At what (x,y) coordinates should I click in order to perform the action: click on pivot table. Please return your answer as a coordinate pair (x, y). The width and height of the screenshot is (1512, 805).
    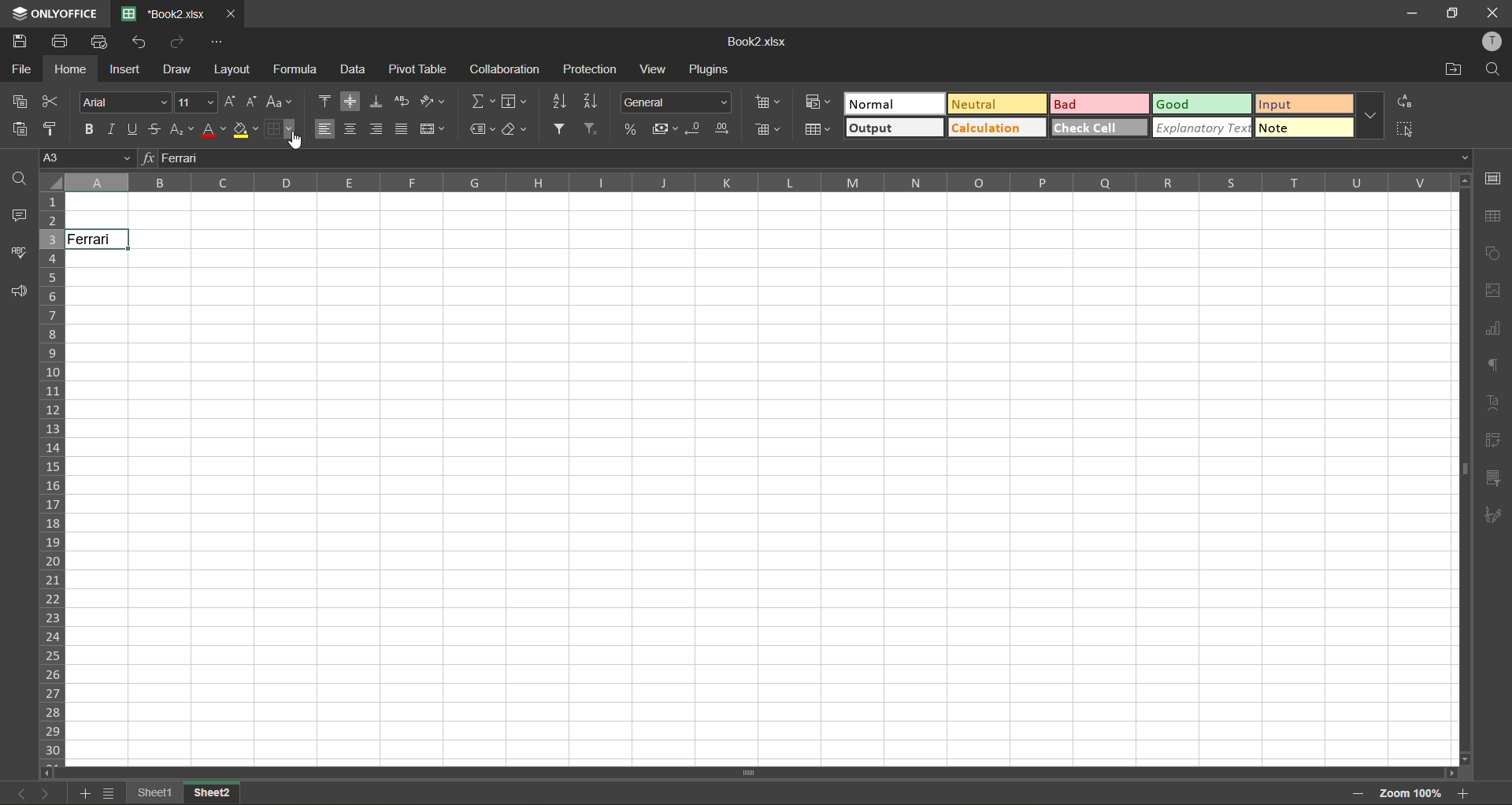
    Looking at the image, I should click on (1496, 440).